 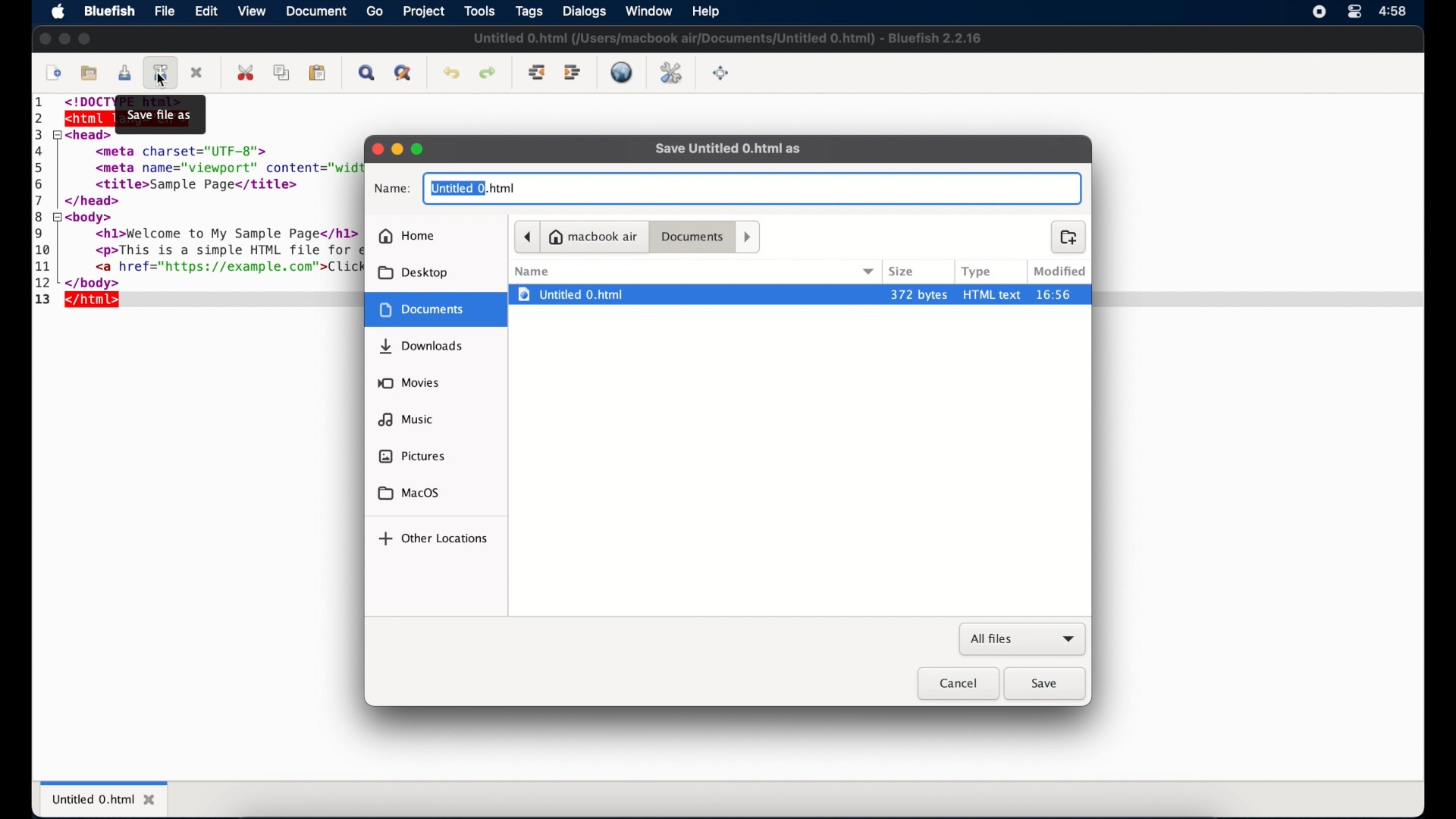 What do you see at coordinates (43, 166) in the screenshot?
I see `5` at bounding box center [43, 166].